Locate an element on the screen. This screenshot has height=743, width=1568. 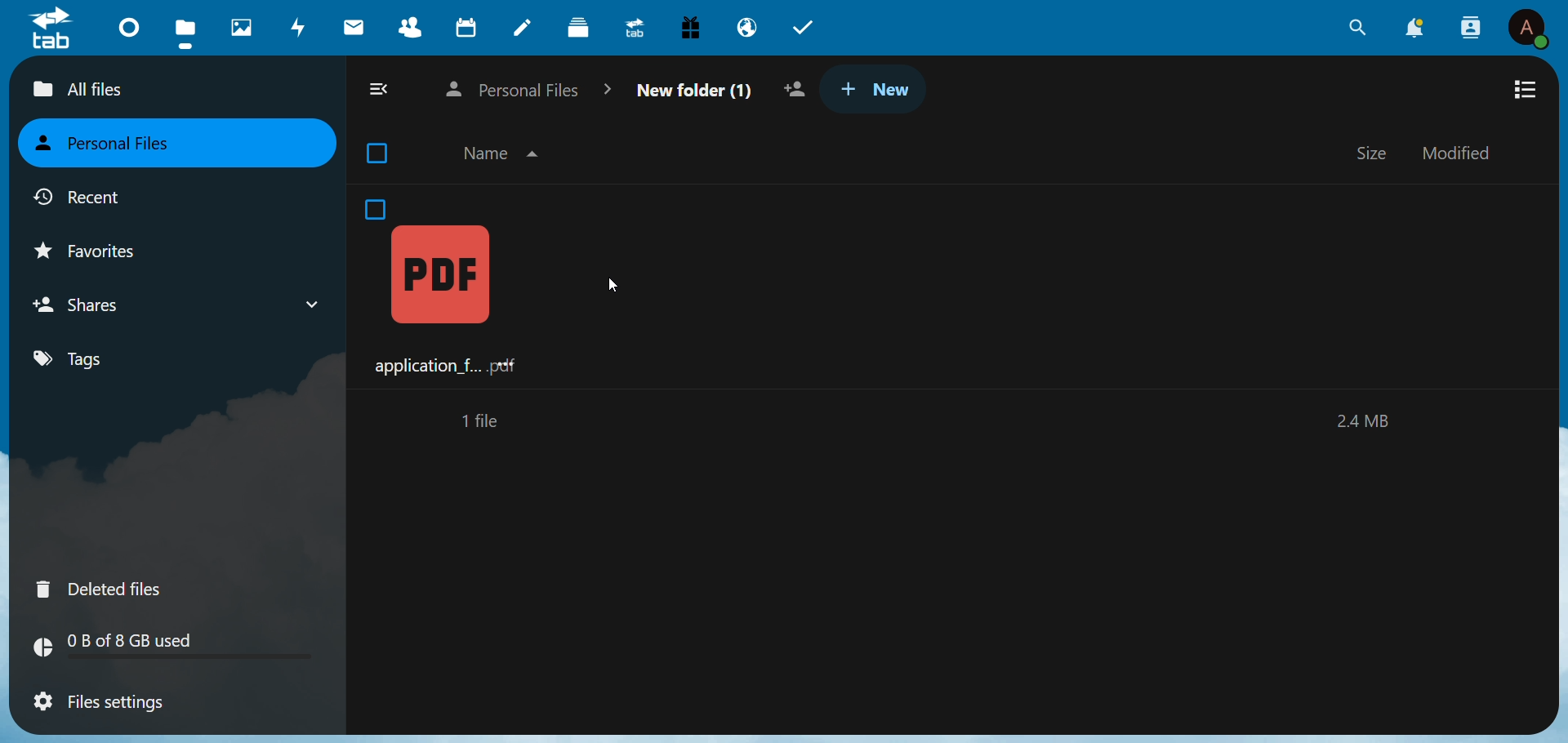
search is located at coordinates (1353, 29).